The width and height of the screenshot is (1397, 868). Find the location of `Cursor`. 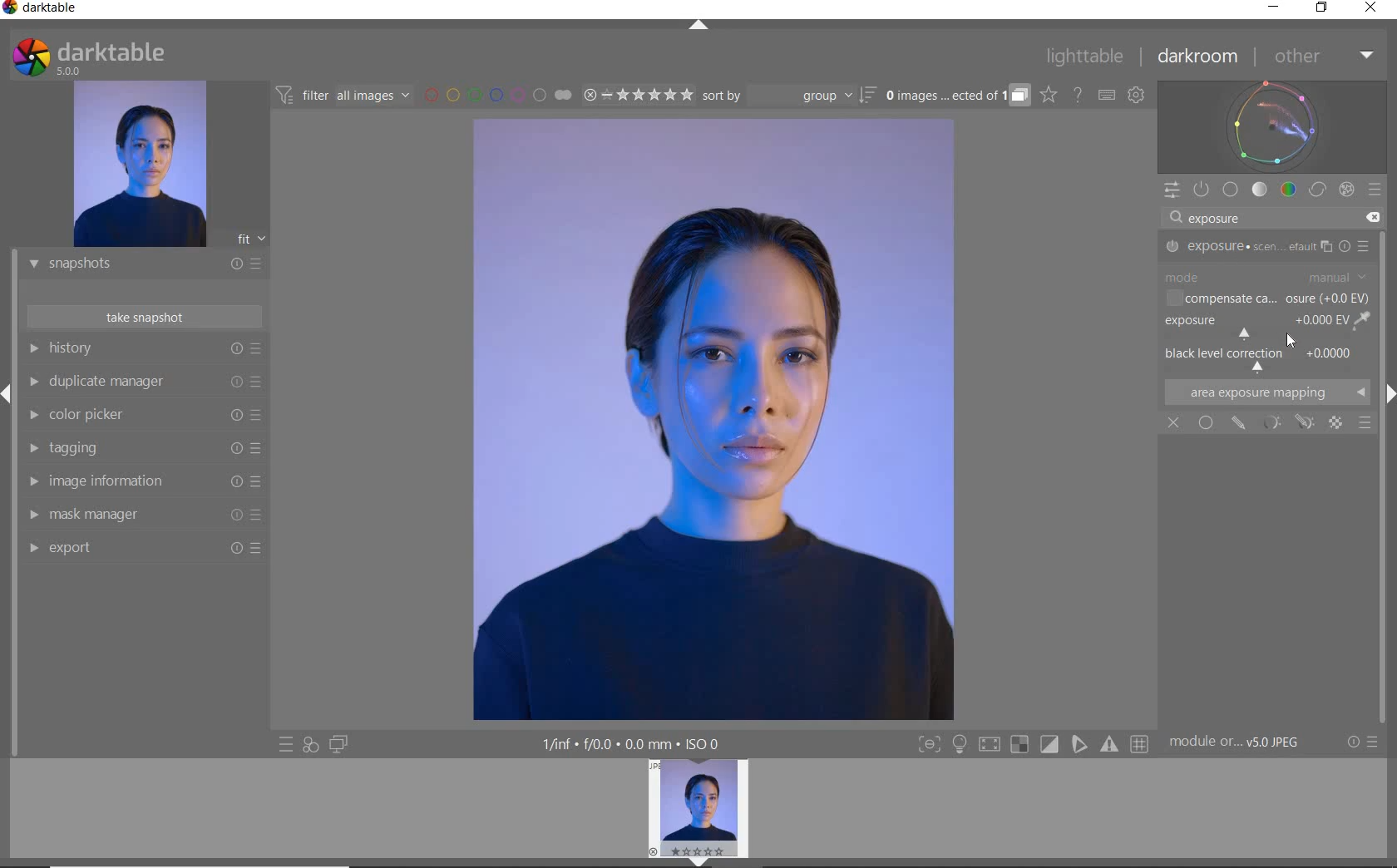

Cursor is located at coordinates (1292, 339).